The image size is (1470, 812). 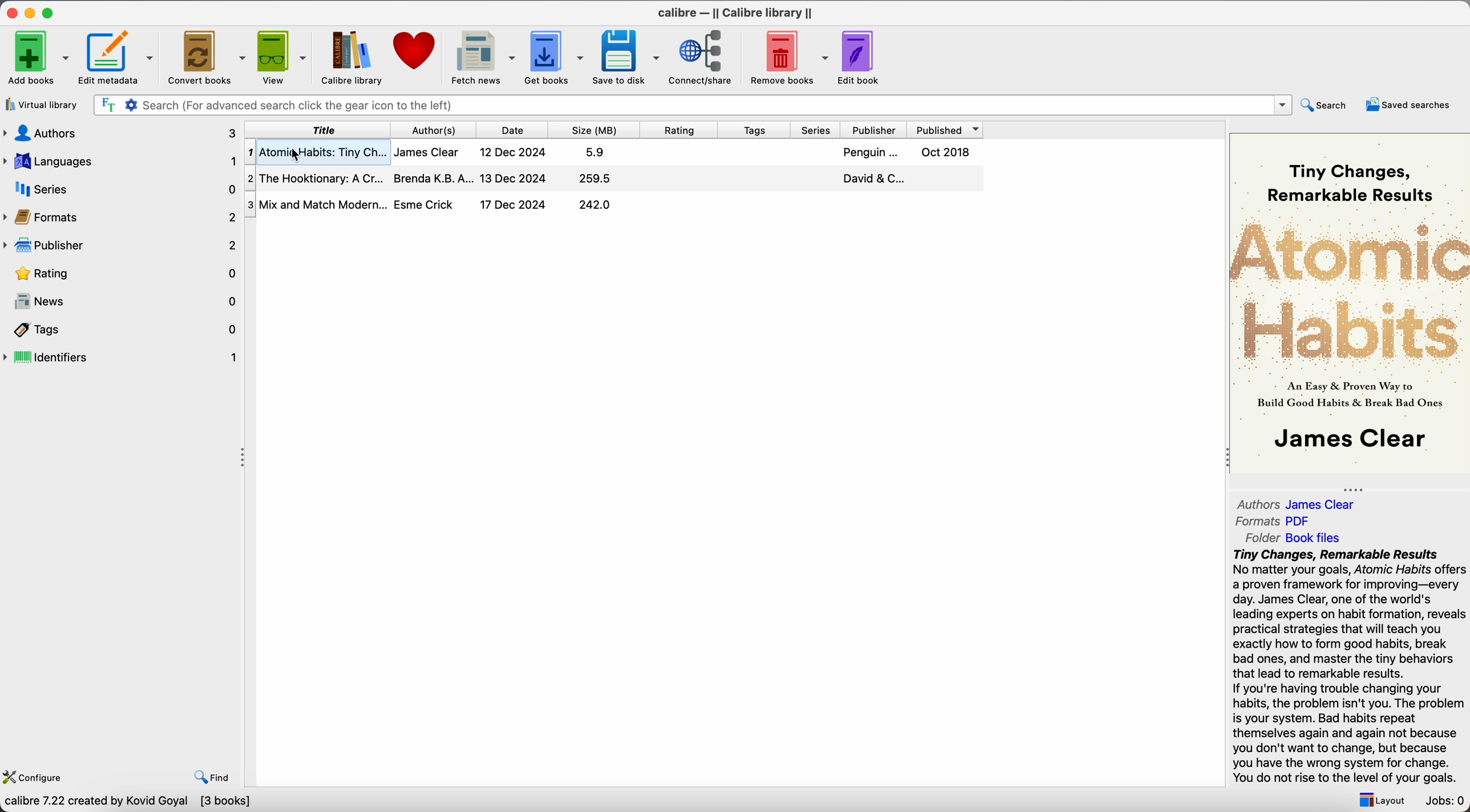 I want to click on publisher, so click(x=873, y=130).